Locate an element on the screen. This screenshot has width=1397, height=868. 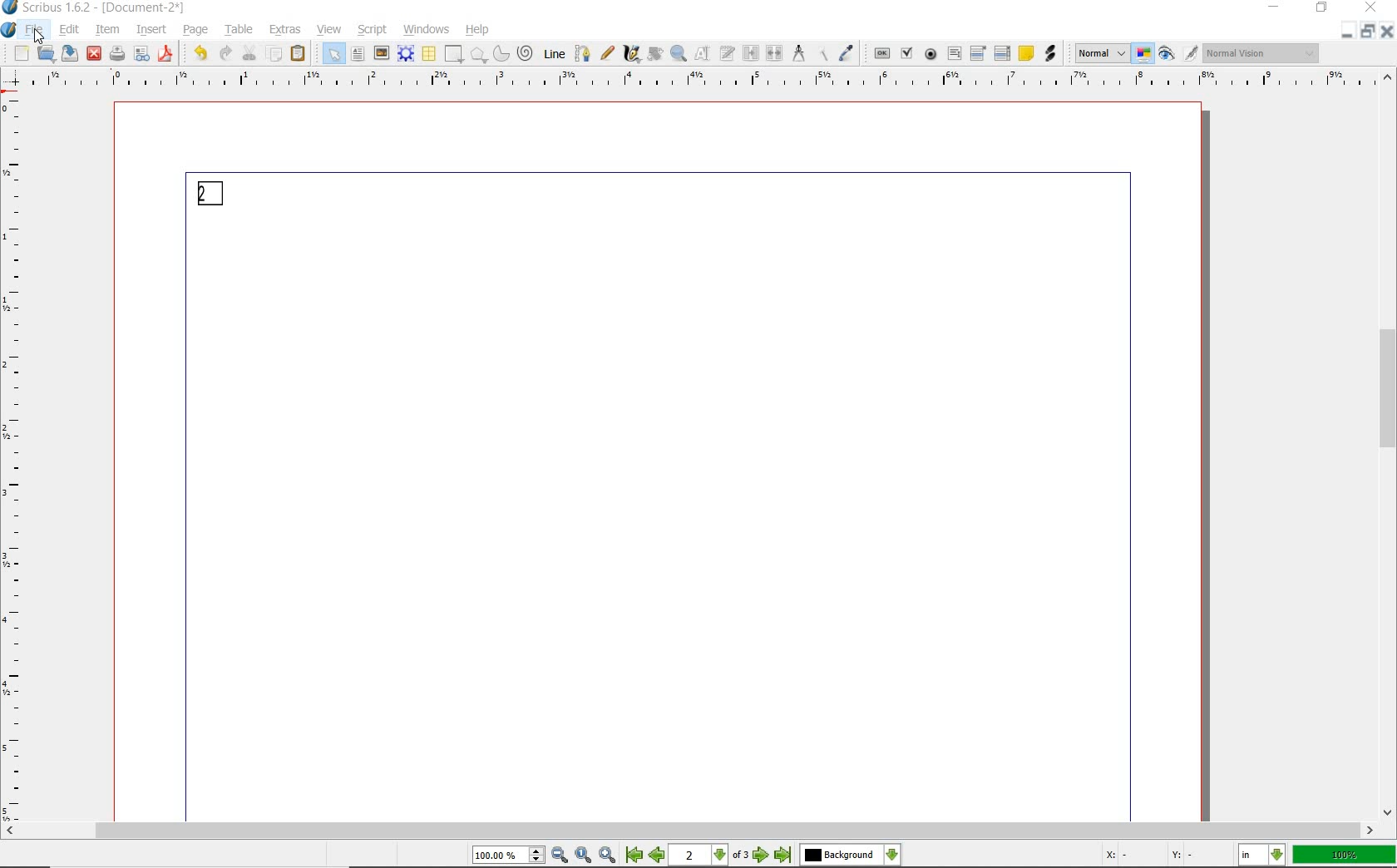
table is located at coordinates (240, 31).